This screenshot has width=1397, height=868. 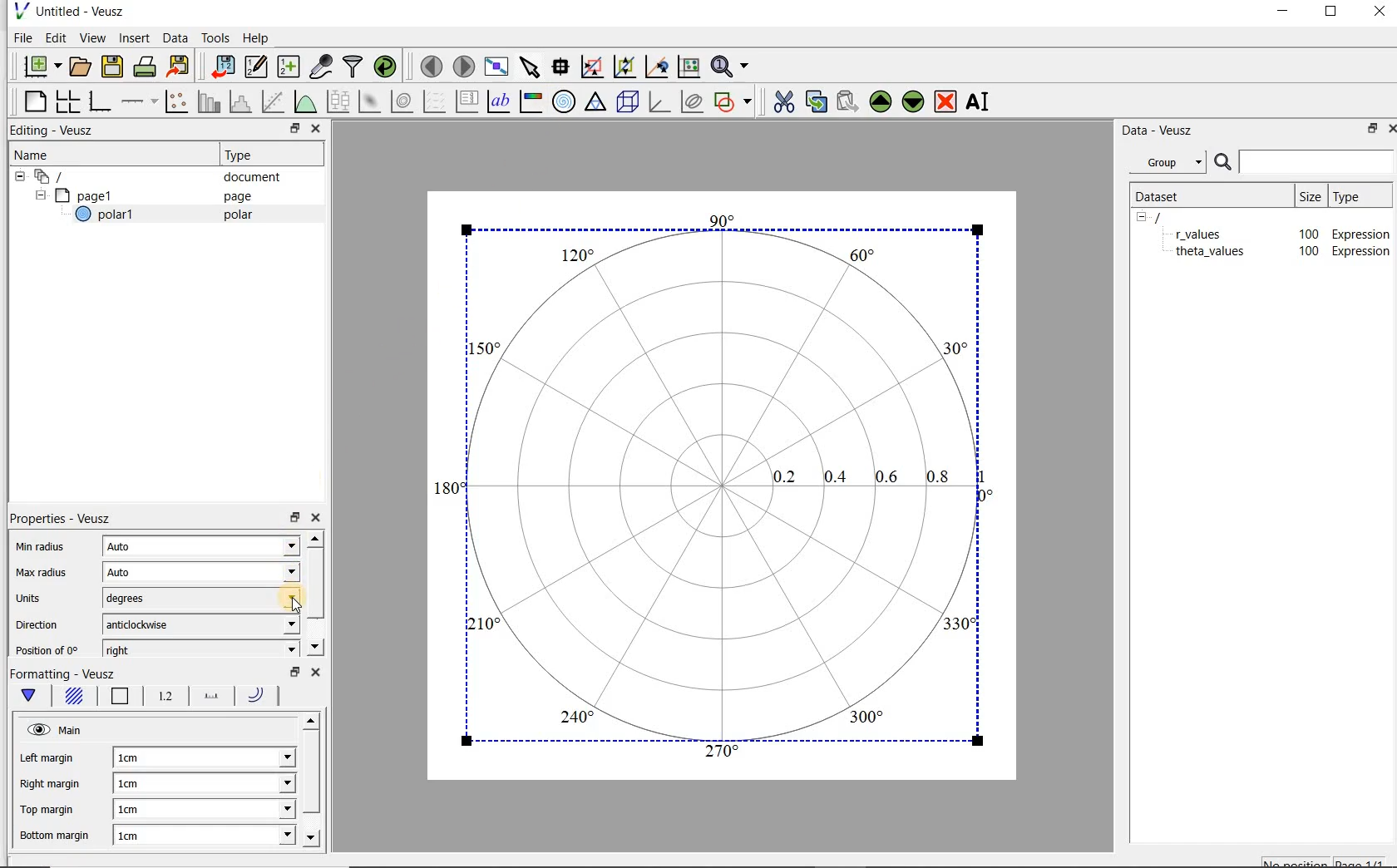 I want to click on 3d graph, so click(x=660, y=103).